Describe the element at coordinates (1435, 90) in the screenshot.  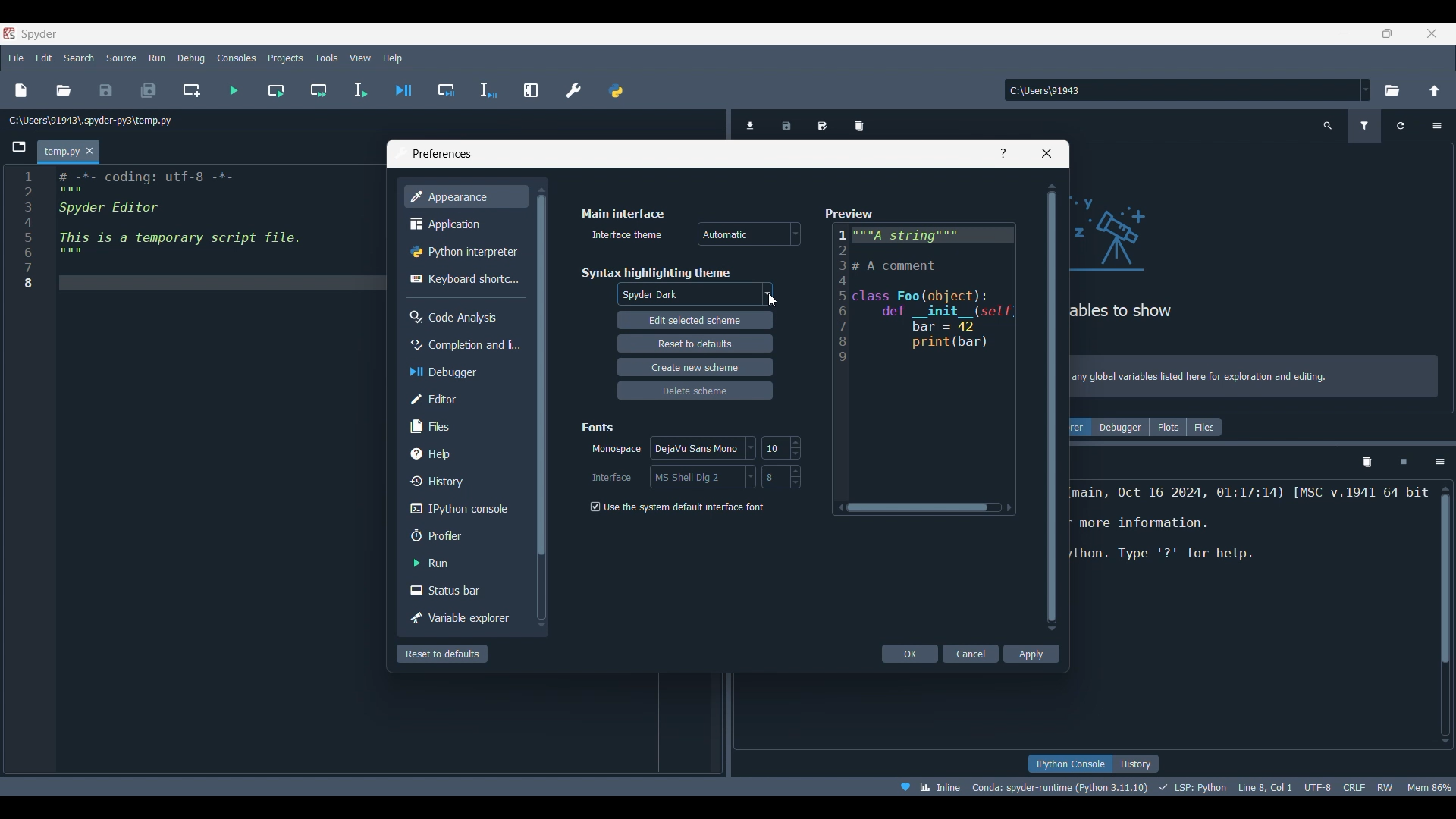
I see `Change to parent directory` at that location.